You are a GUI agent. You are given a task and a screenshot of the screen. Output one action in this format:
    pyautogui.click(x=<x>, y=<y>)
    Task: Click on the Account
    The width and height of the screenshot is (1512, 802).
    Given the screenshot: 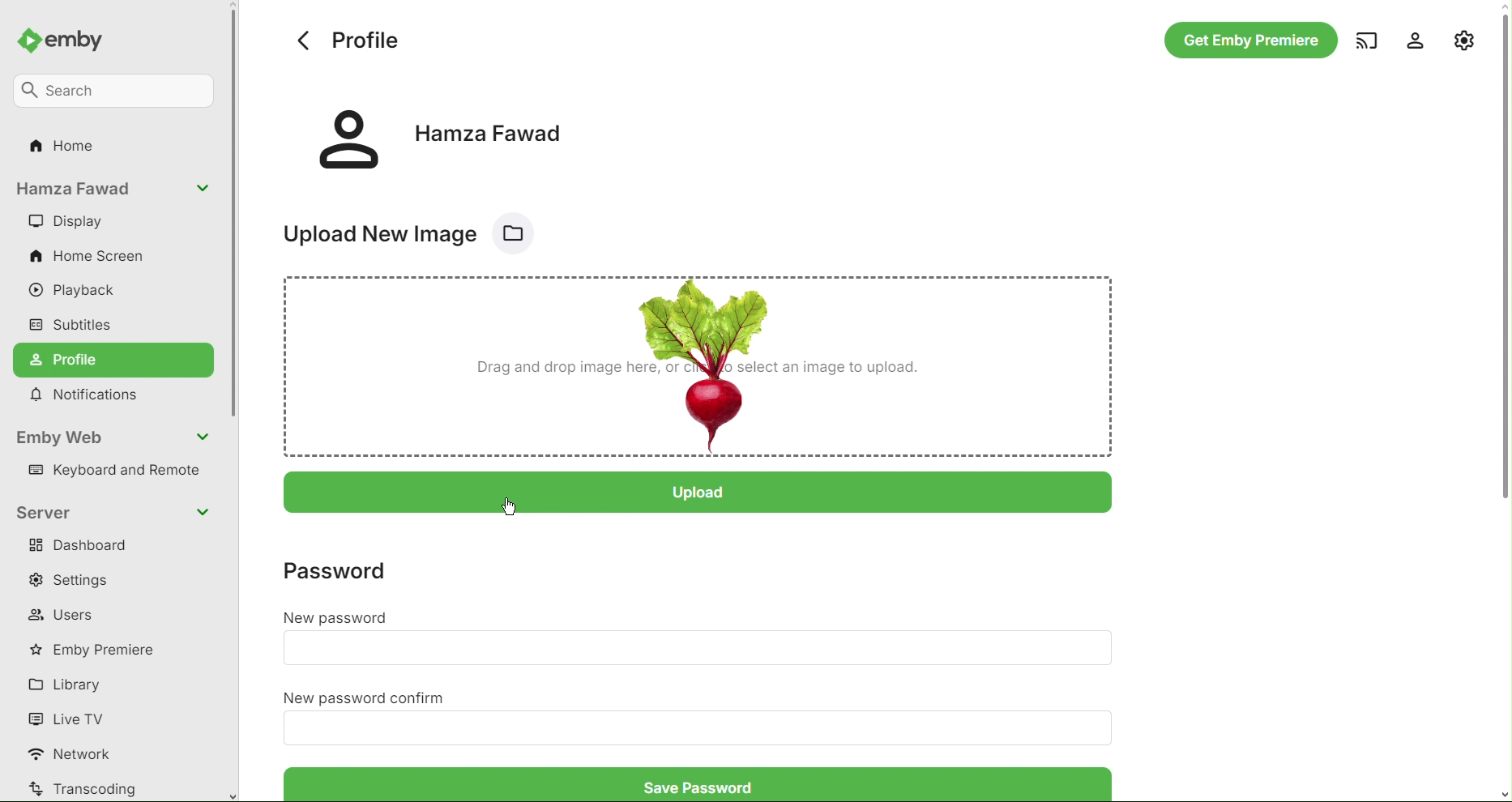 What is the action you would take?
    pyautogui.click(x=442, y=136)
    